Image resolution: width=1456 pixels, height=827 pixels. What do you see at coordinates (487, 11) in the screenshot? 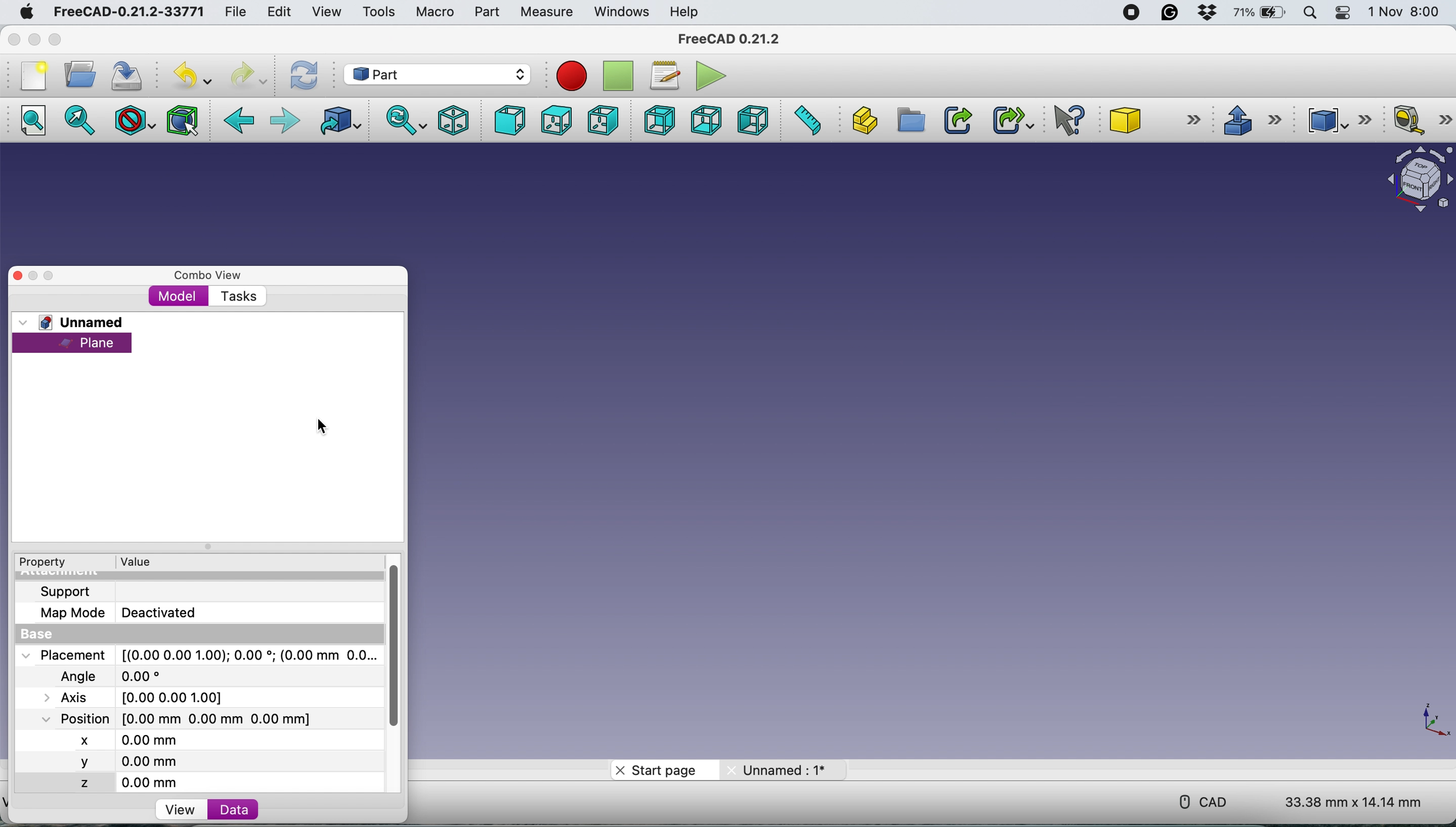
I see `part` at bounding box center [487, 11].